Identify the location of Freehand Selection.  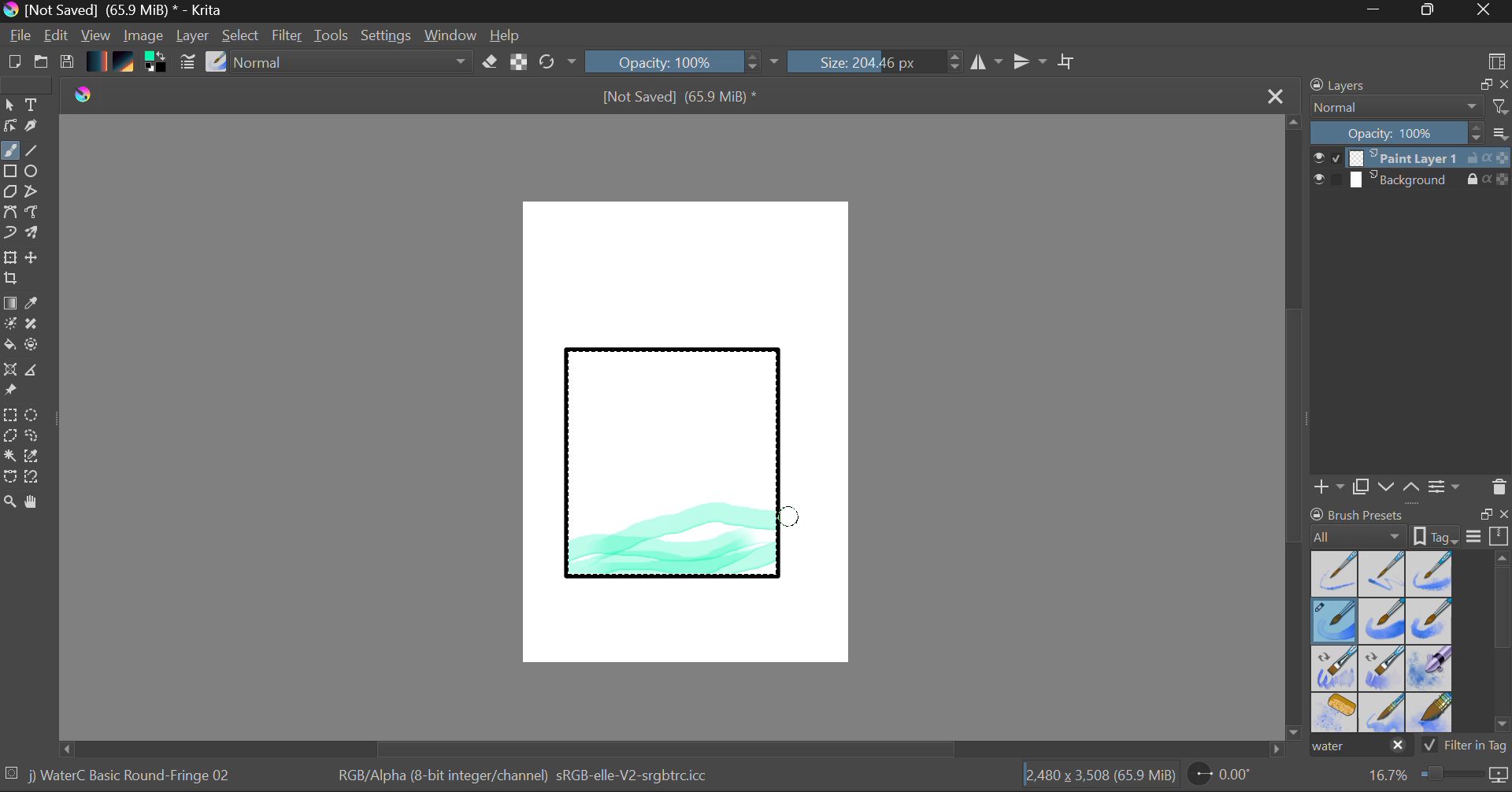
(32, 438).